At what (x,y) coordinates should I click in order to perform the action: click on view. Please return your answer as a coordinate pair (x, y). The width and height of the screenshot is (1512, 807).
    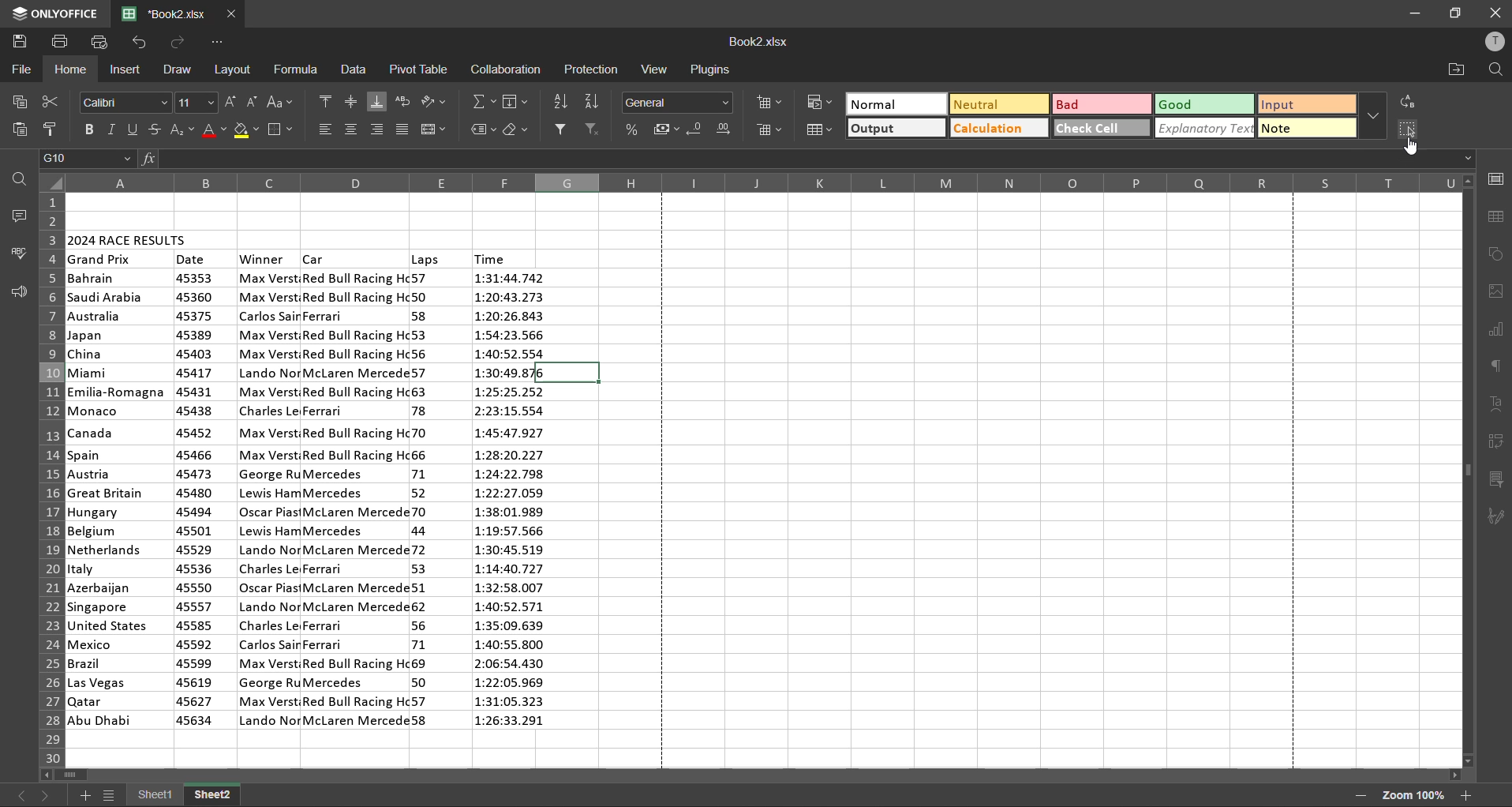
    Looking at the image, I should click on (659, 71).